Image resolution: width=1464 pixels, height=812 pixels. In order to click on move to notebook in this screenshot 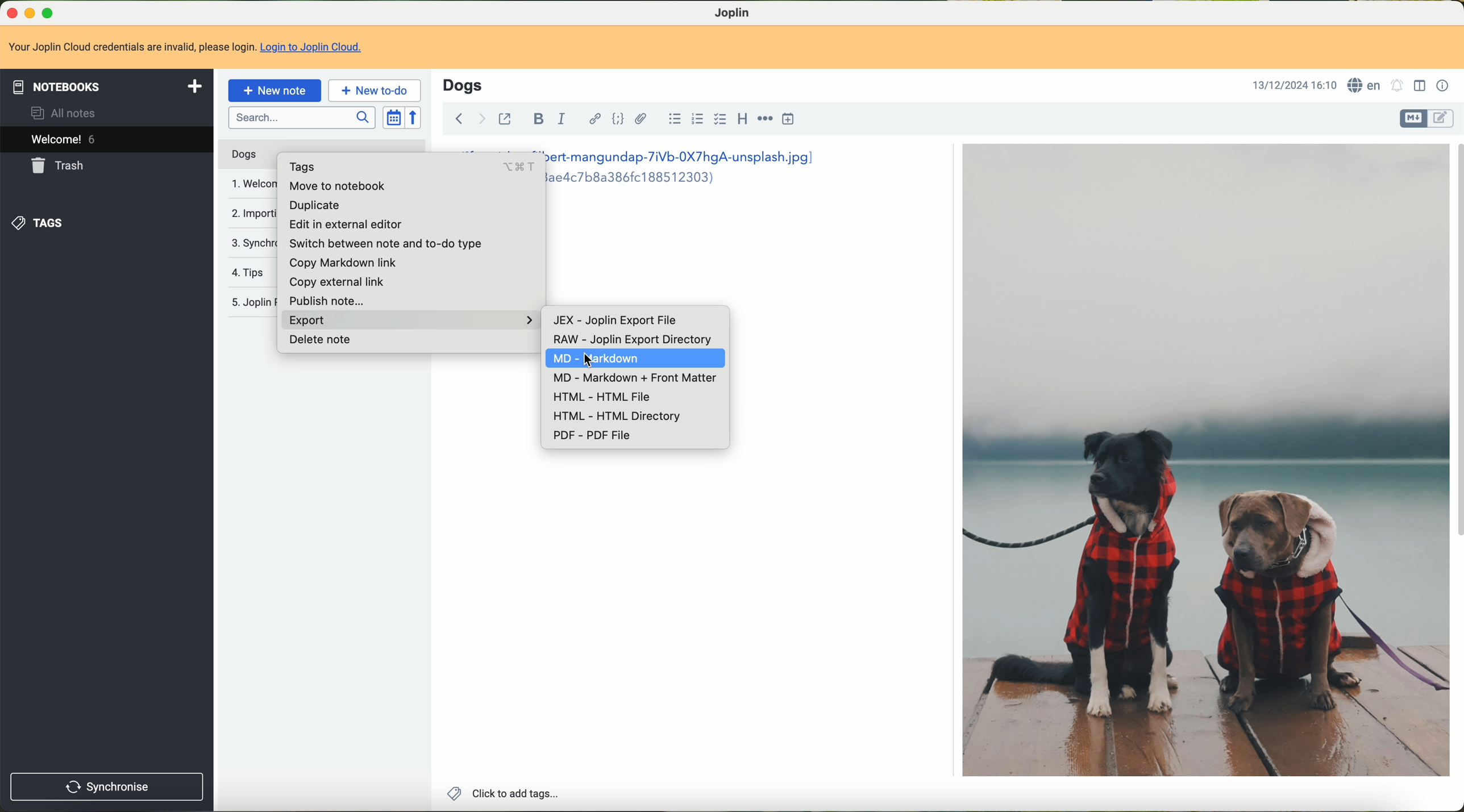, I will do `click(335, 188)`.